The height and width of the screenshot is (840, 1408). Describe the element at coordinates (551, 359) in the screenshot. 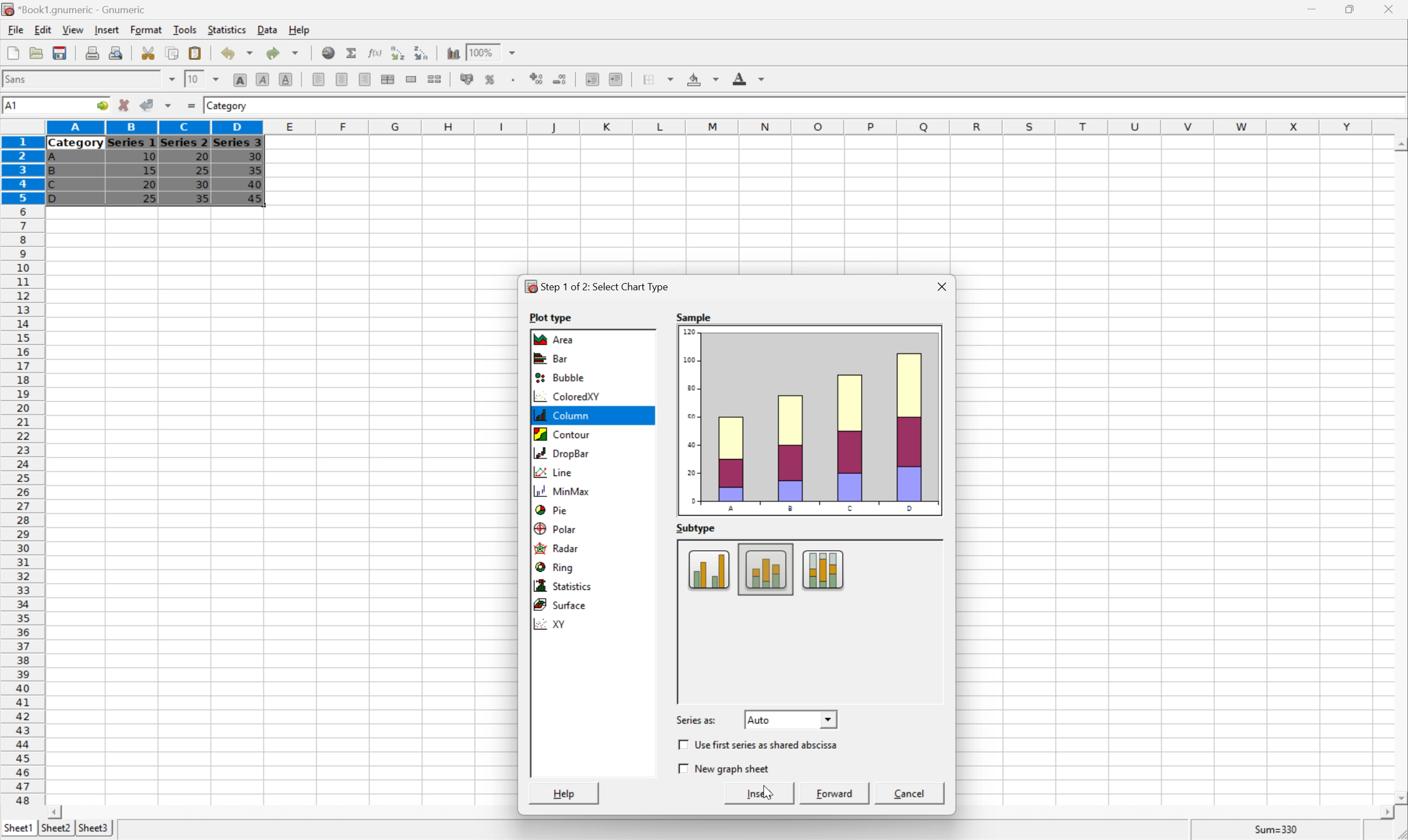

I see `Bar` at that location.